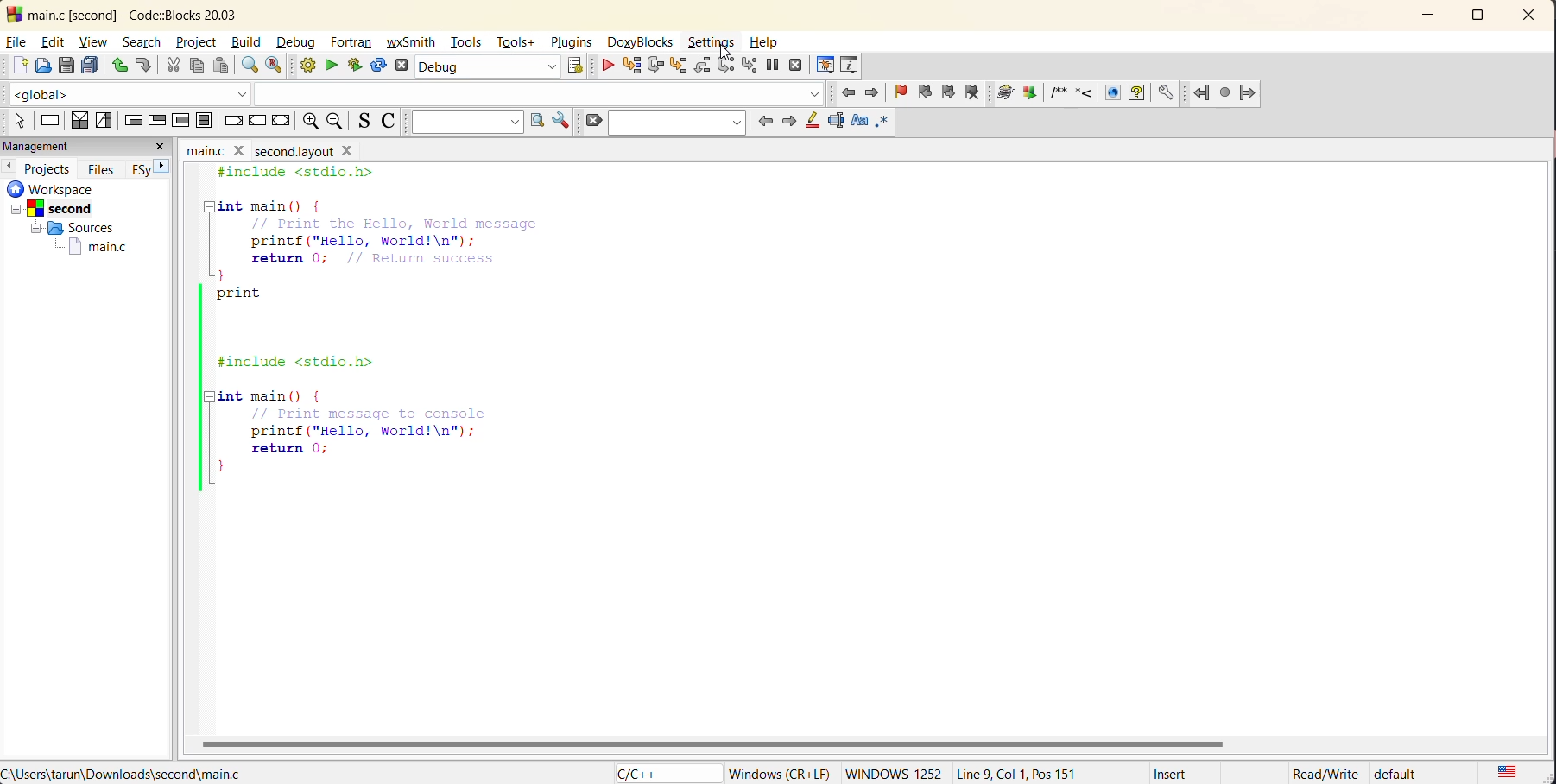 The width and height of the screenshot is (1556, 784). What do you see at coordinates (145, 42) in the screenshot?
I see `search` at bounding box center [145, 42].